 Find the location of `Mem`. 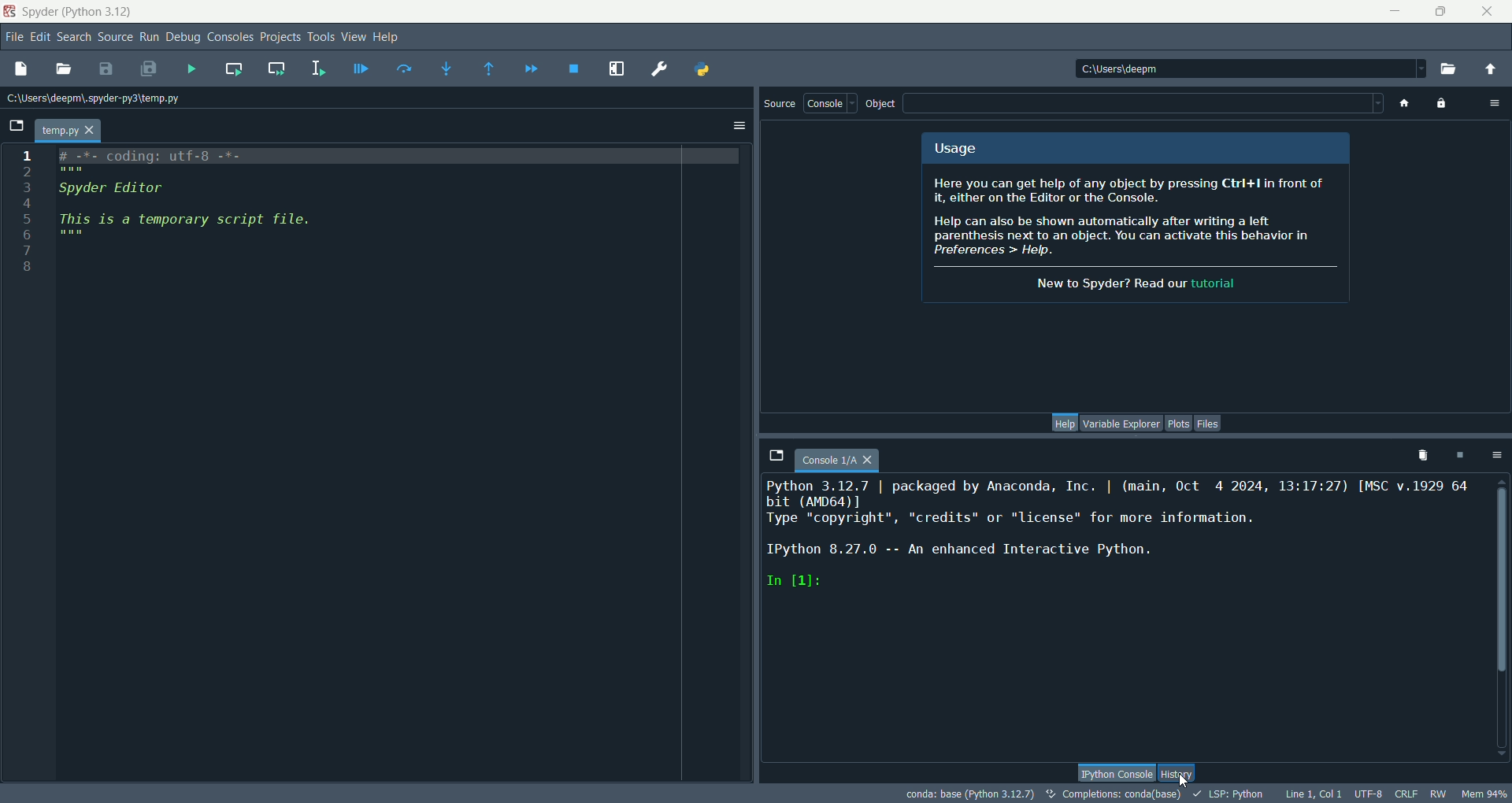

Mem is located at coordinates (1483, 793).